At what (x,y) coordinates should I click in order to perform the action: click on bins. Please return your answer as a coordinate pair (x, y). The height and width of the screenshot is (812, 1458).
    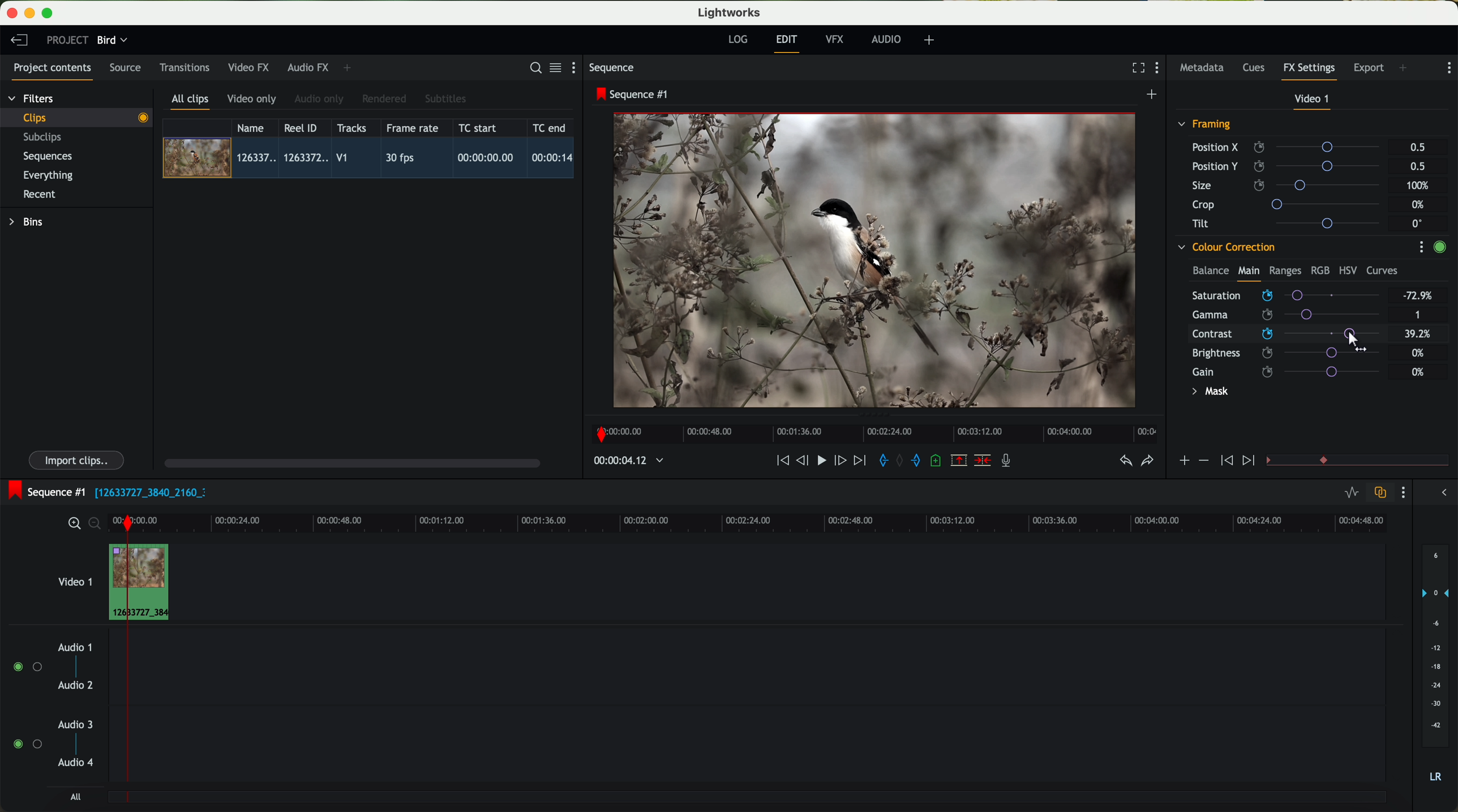
    Looking at the image, I should click on (28, 222).